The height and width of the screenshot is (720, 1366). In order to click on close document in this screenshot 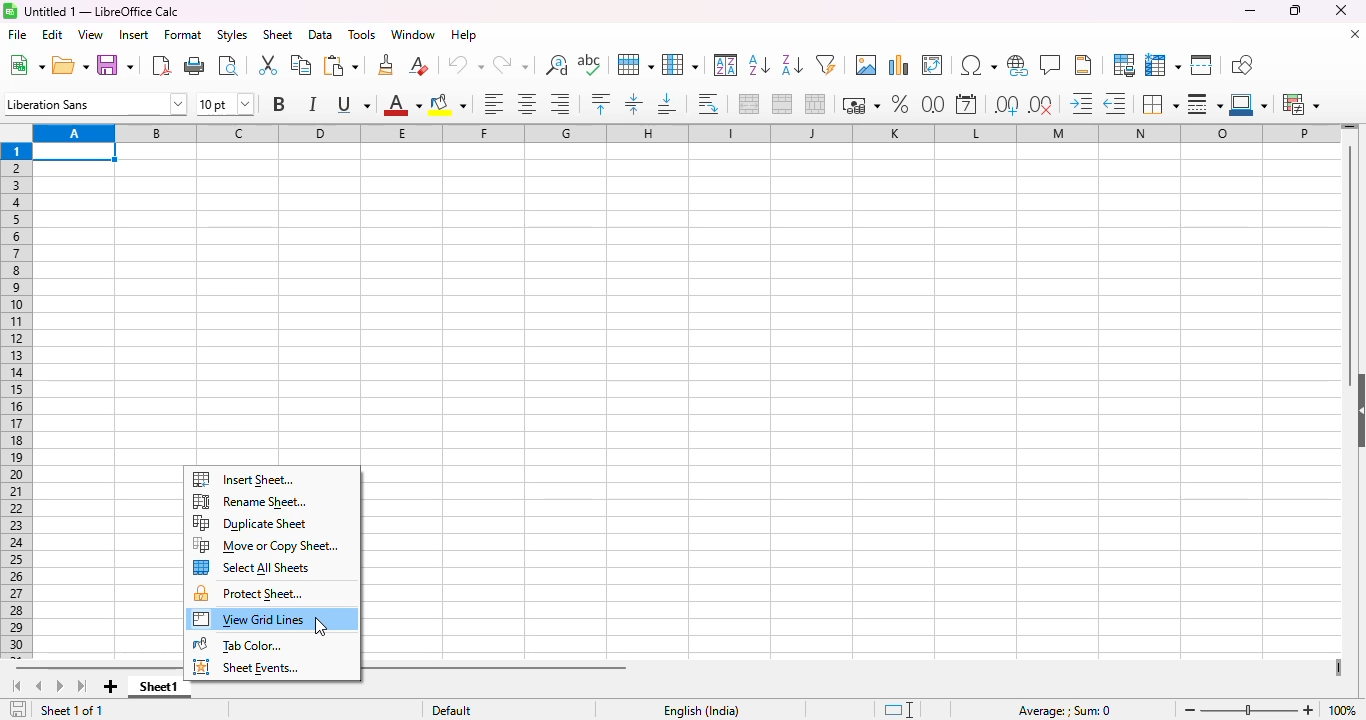, I will do `click(1355, 34)`.